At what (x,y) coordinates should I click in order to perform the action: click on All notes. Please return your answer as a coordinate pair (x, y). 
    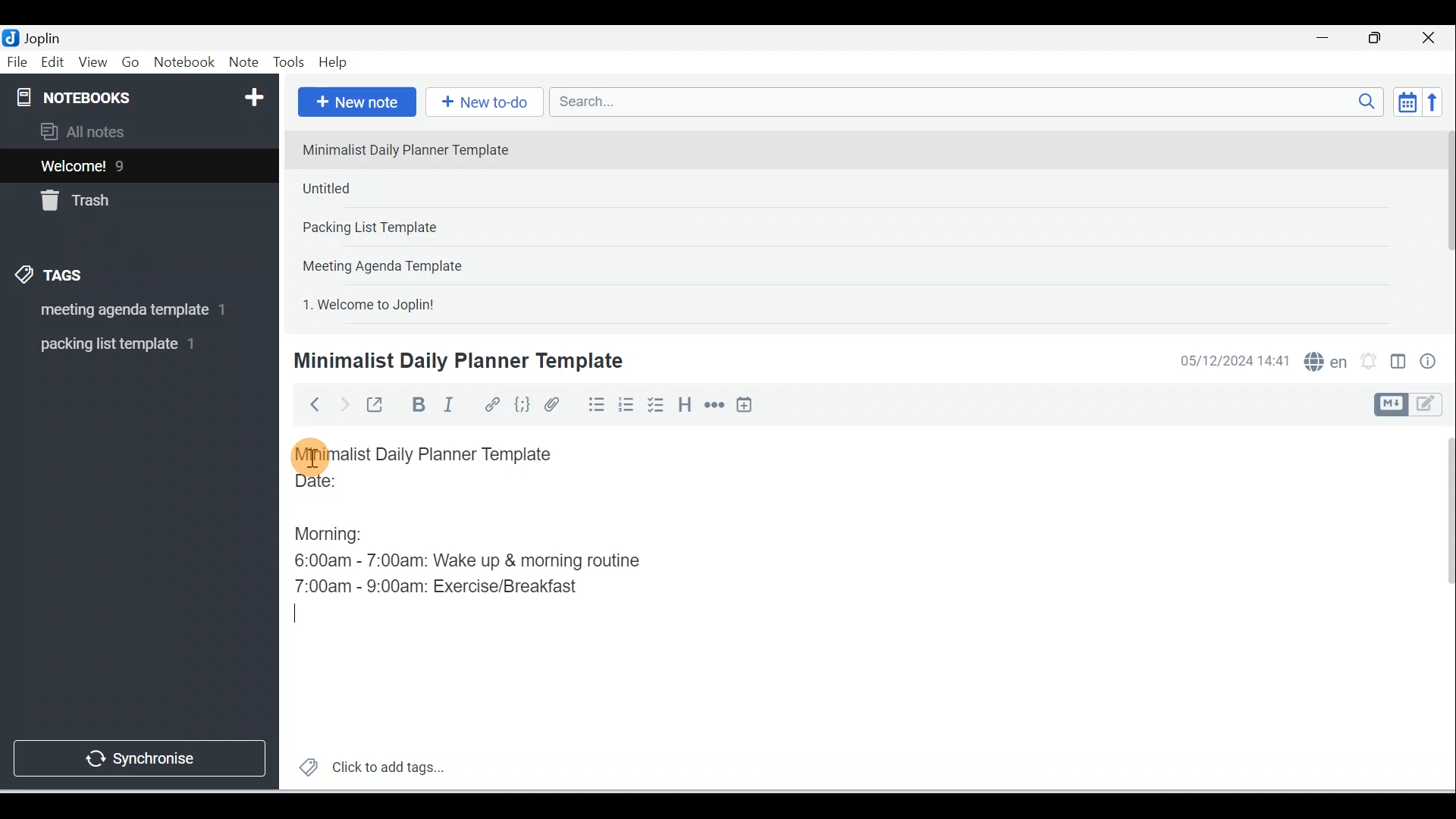
    Looking at the image, I should click on (137, 131).